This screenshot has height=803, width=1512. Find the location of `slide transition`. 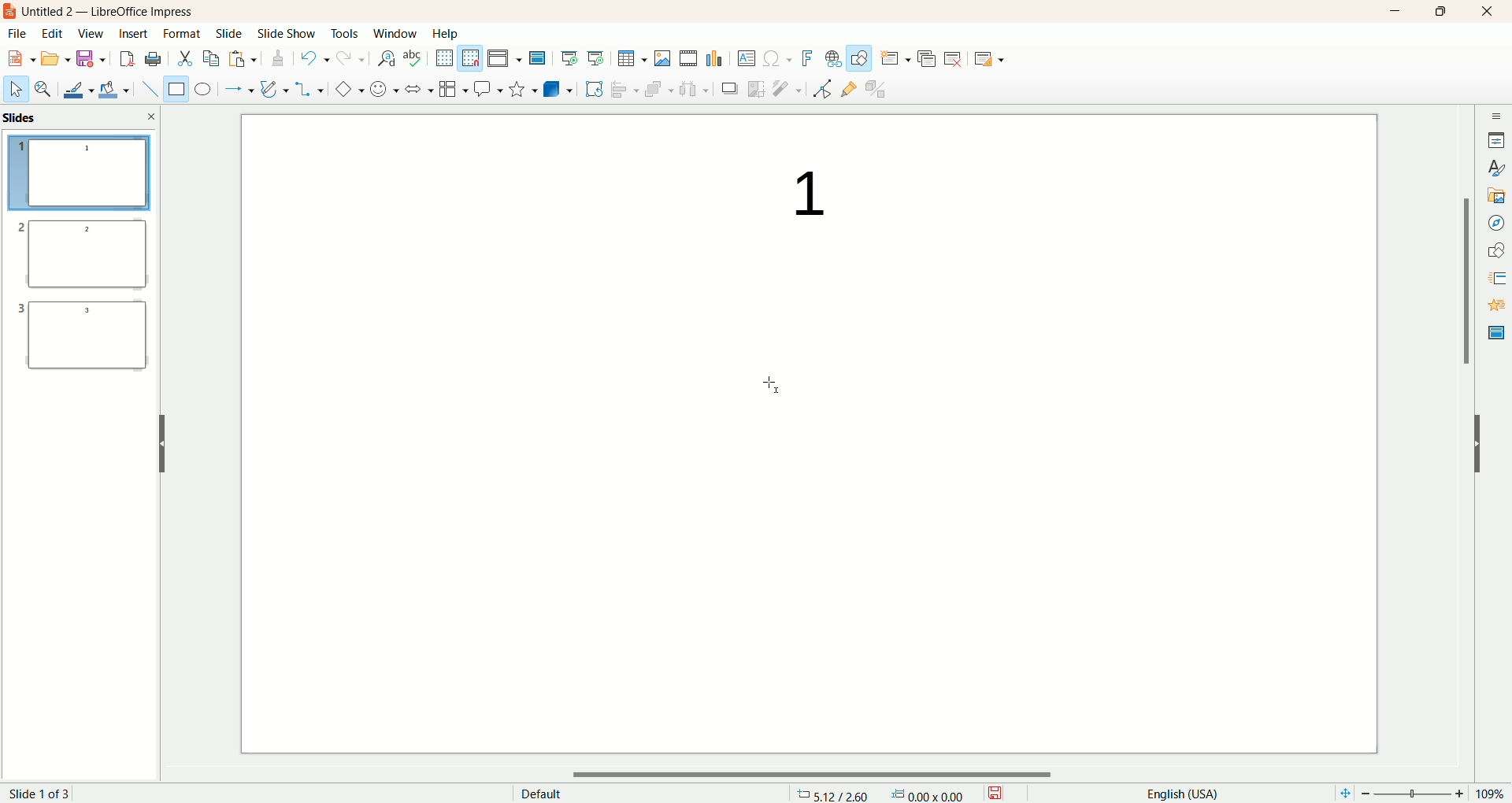

slide transition is located at coordinates (1495, 276).